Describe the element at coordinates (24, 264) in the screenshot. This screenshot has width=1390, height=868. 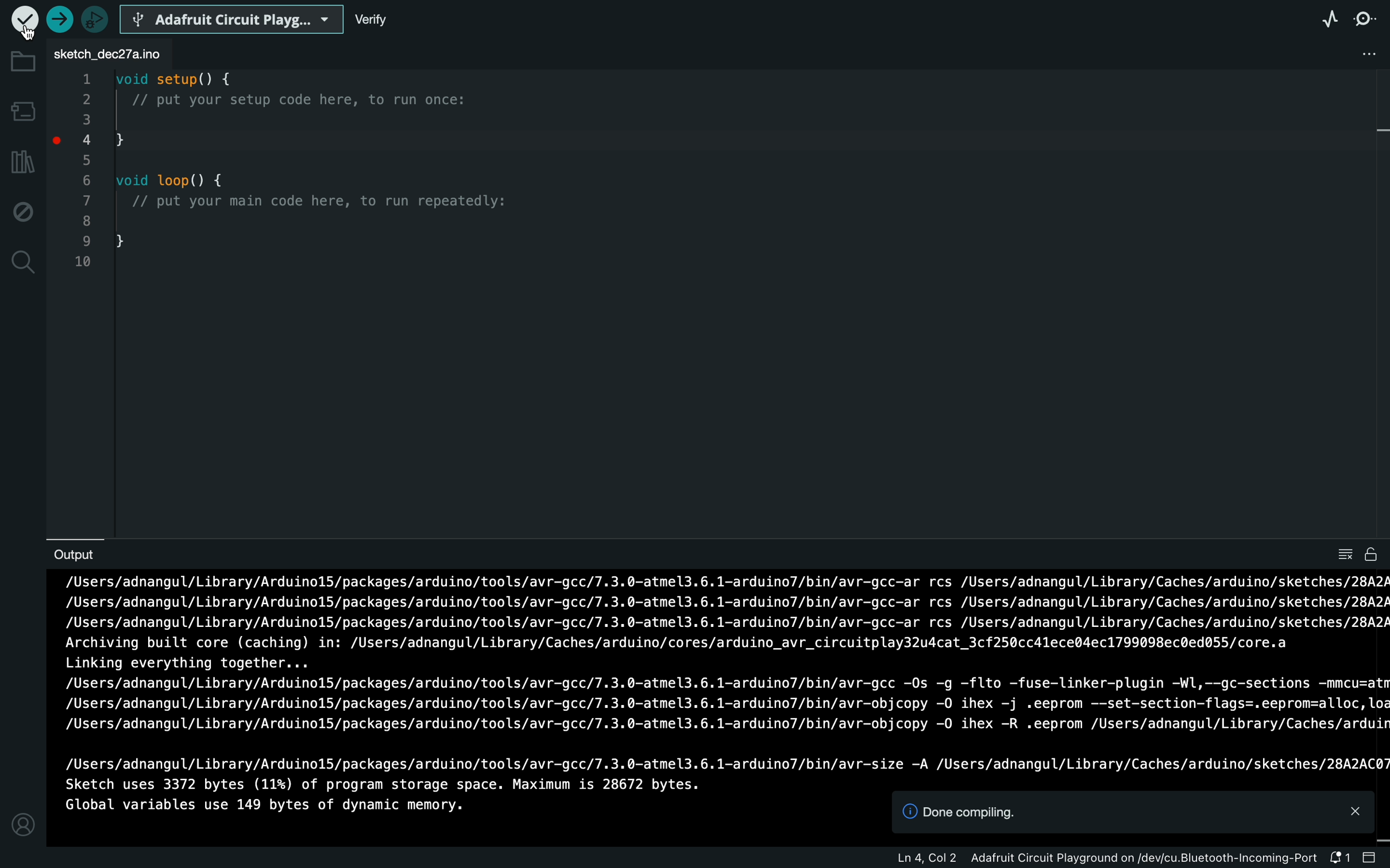
I see `search` at that location.